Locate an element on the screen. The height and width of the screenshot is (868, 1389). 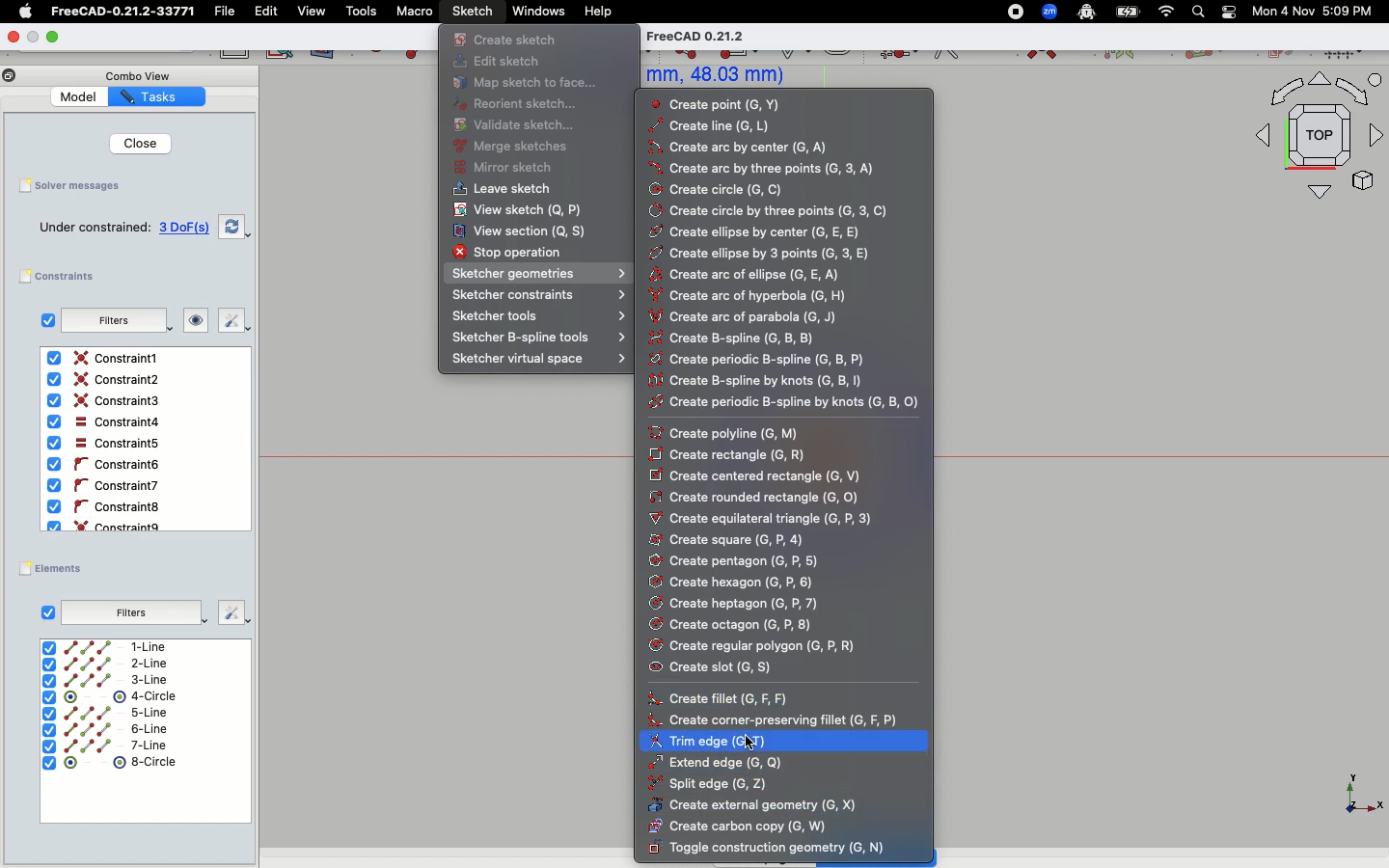
Create octagon is located at coordinates (732, 624).